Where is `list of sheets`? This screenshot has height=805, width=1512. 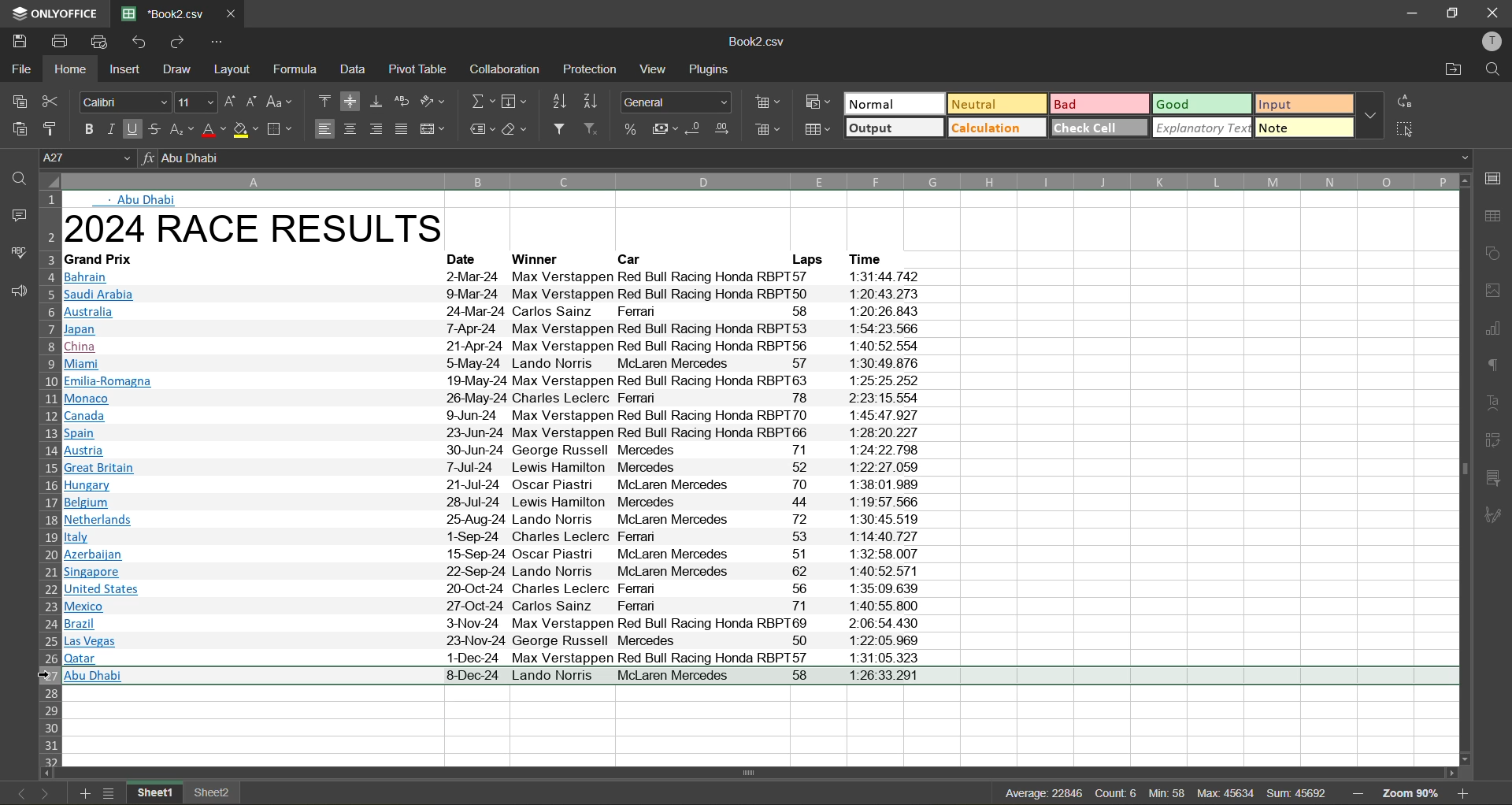
list of sheets is located at coordinates (110, 793).